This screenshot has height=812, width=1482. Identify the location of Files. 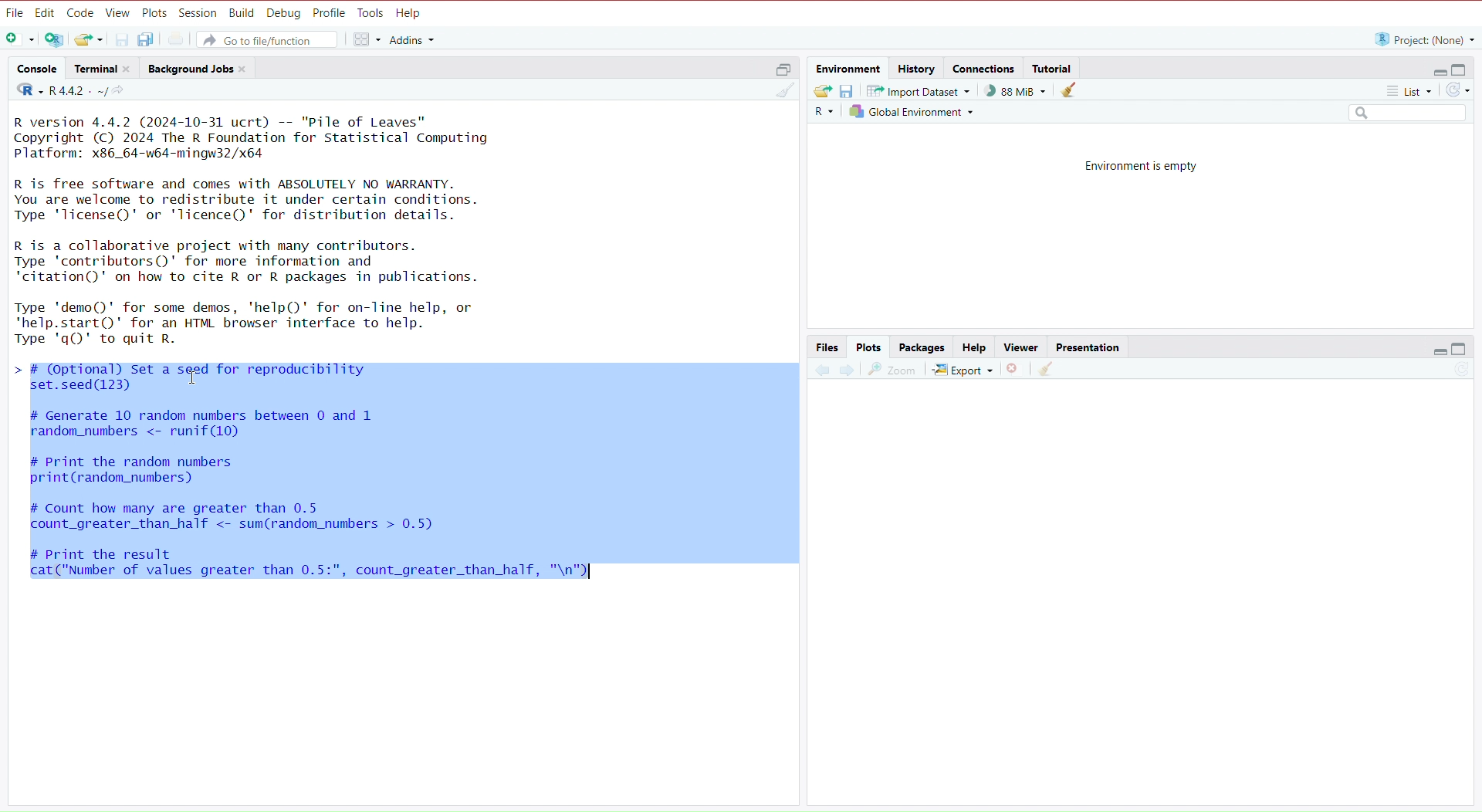
(827, 346).